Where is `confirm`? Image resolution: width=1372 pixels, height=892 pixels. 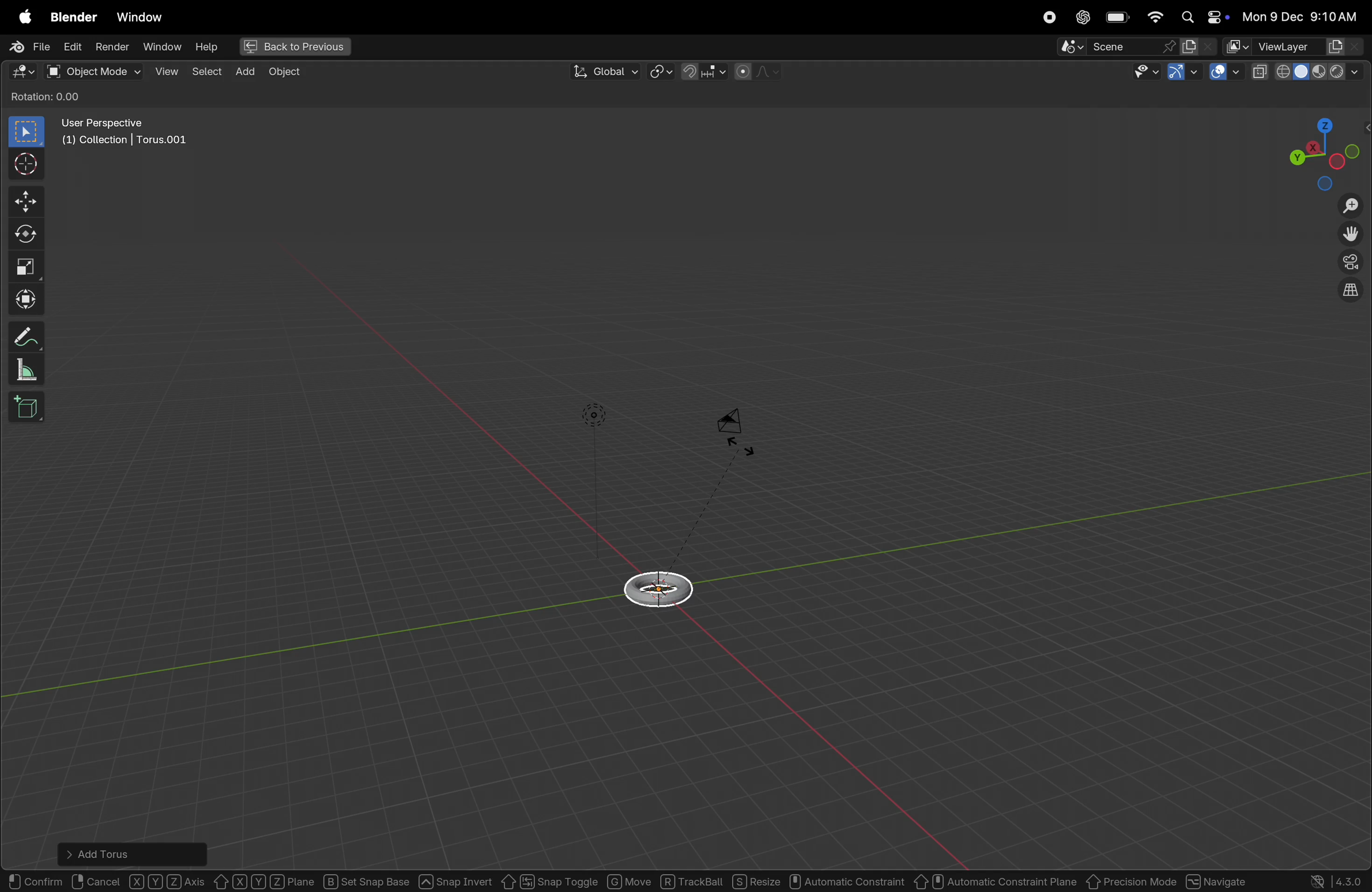 confirm is located at coordinates (36, 879).